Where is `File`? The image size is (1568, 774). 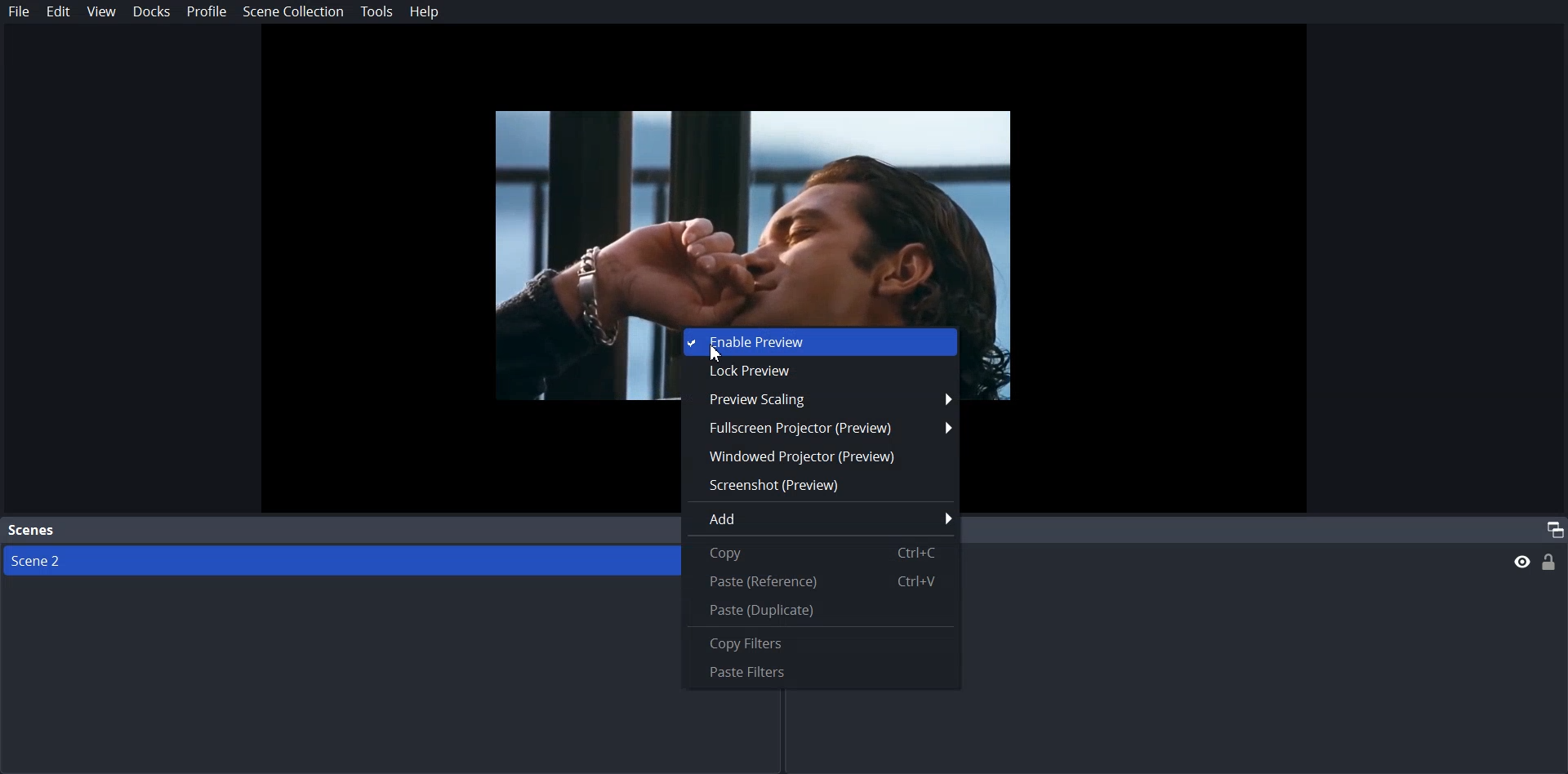 File is located at coordinates (18, 12).